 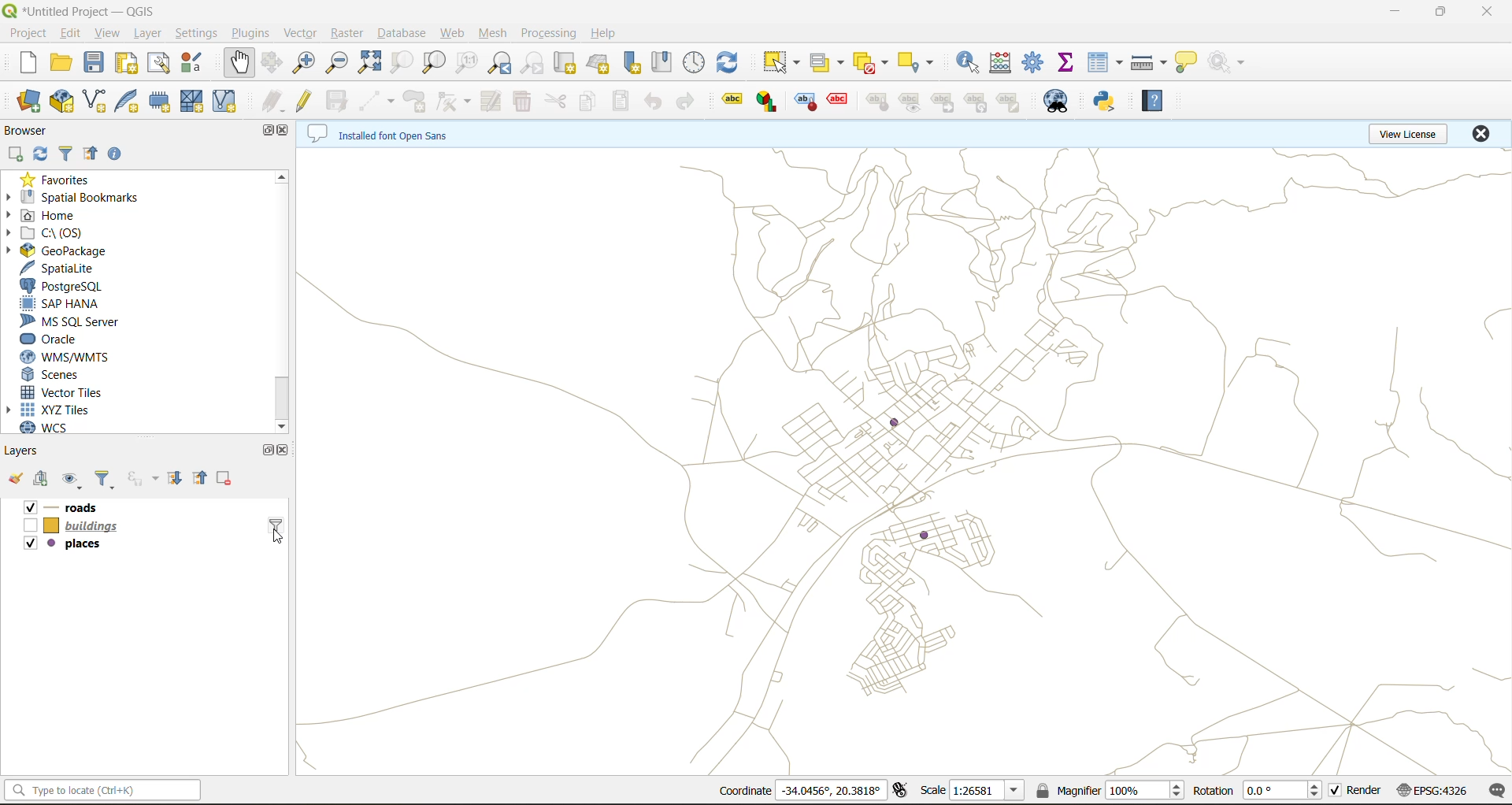 What do you see at coordinates (339, 65) in the screenshot?
I see `zoom out` at bounding box center [339, 65].